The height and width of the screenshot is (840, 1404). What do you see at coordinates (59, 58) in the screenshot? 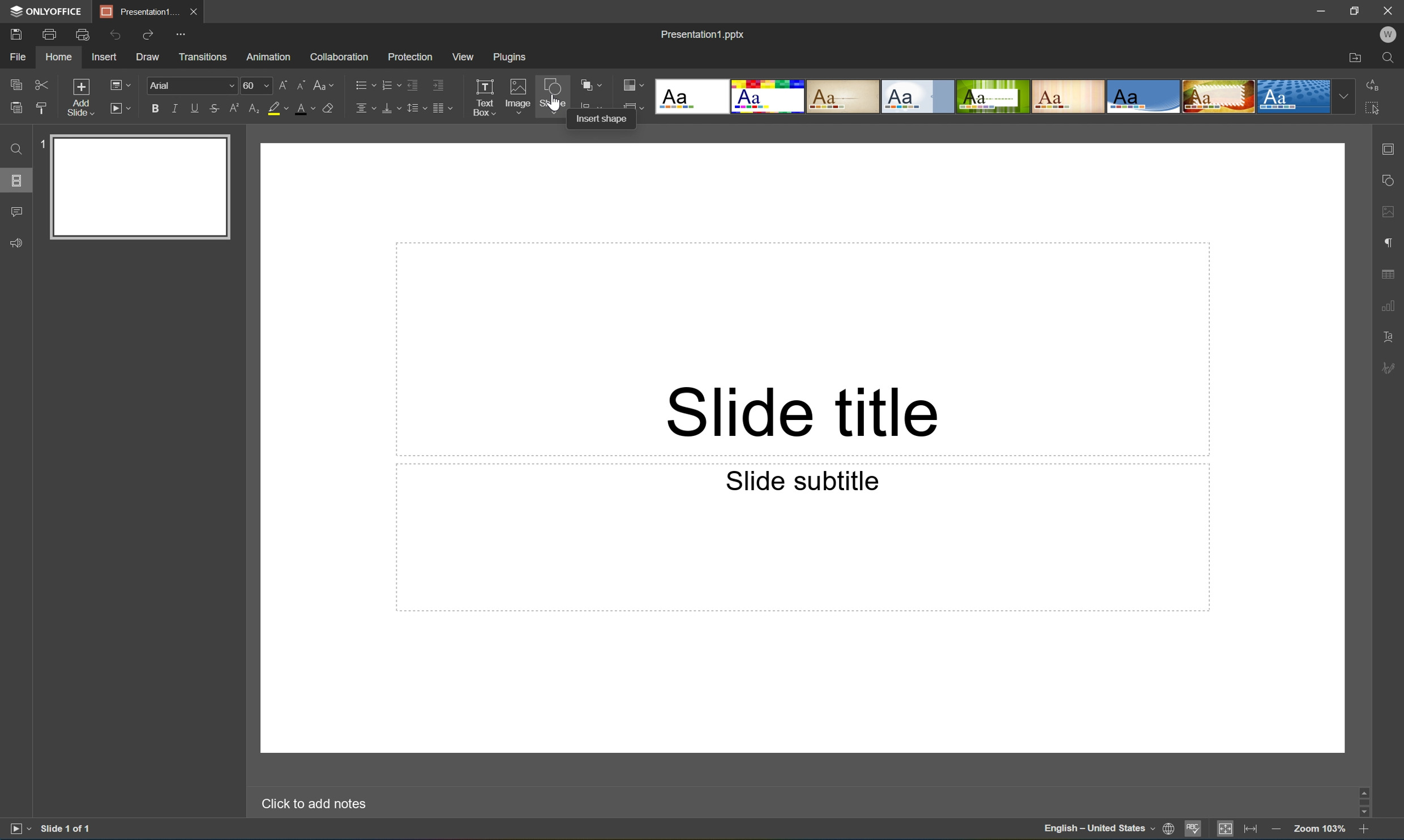
I see `Home` at bounding box center [59, 58].